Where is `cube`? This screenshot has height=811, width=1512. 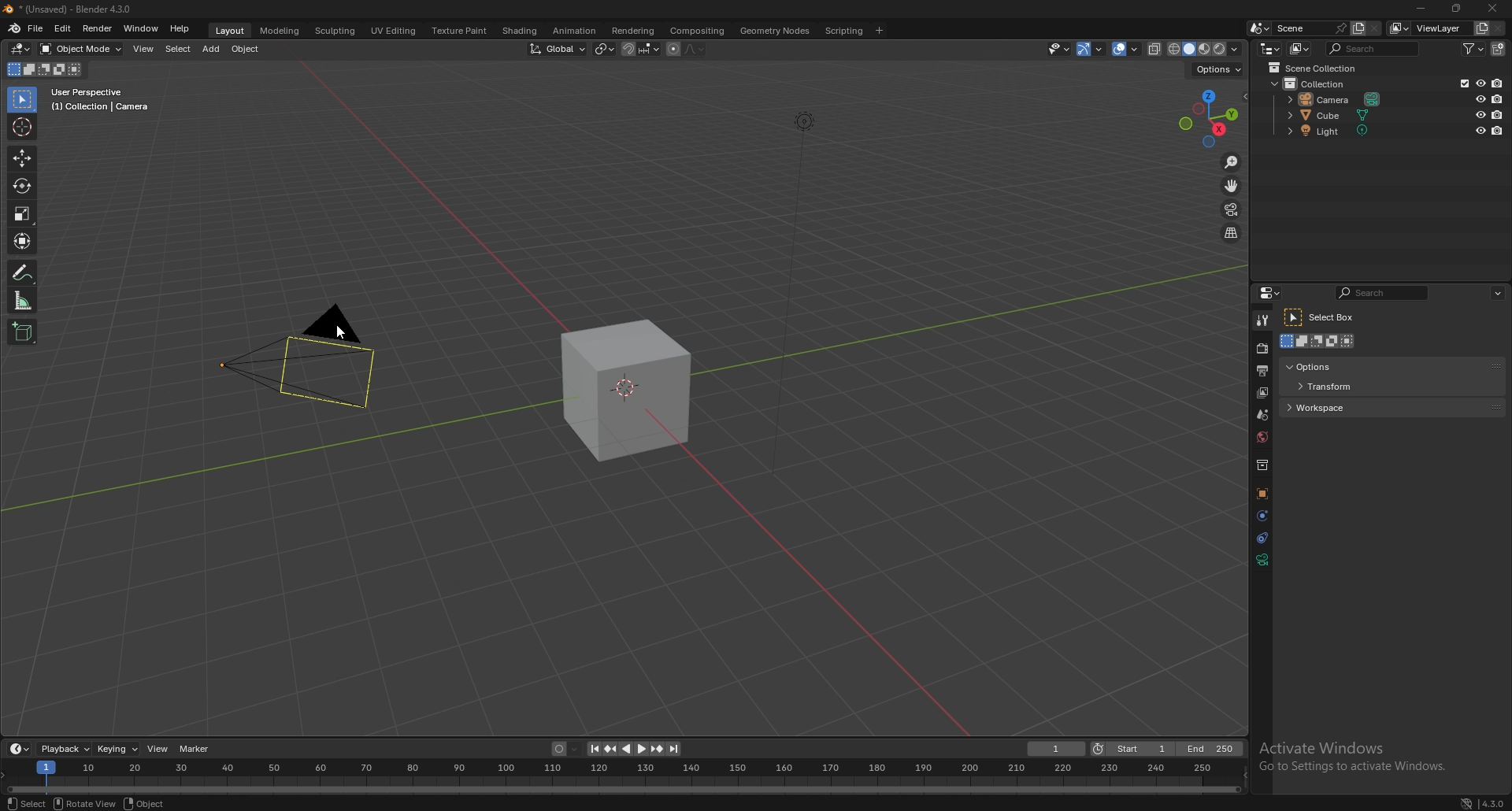
cube is located at coordinates (1332, 116).